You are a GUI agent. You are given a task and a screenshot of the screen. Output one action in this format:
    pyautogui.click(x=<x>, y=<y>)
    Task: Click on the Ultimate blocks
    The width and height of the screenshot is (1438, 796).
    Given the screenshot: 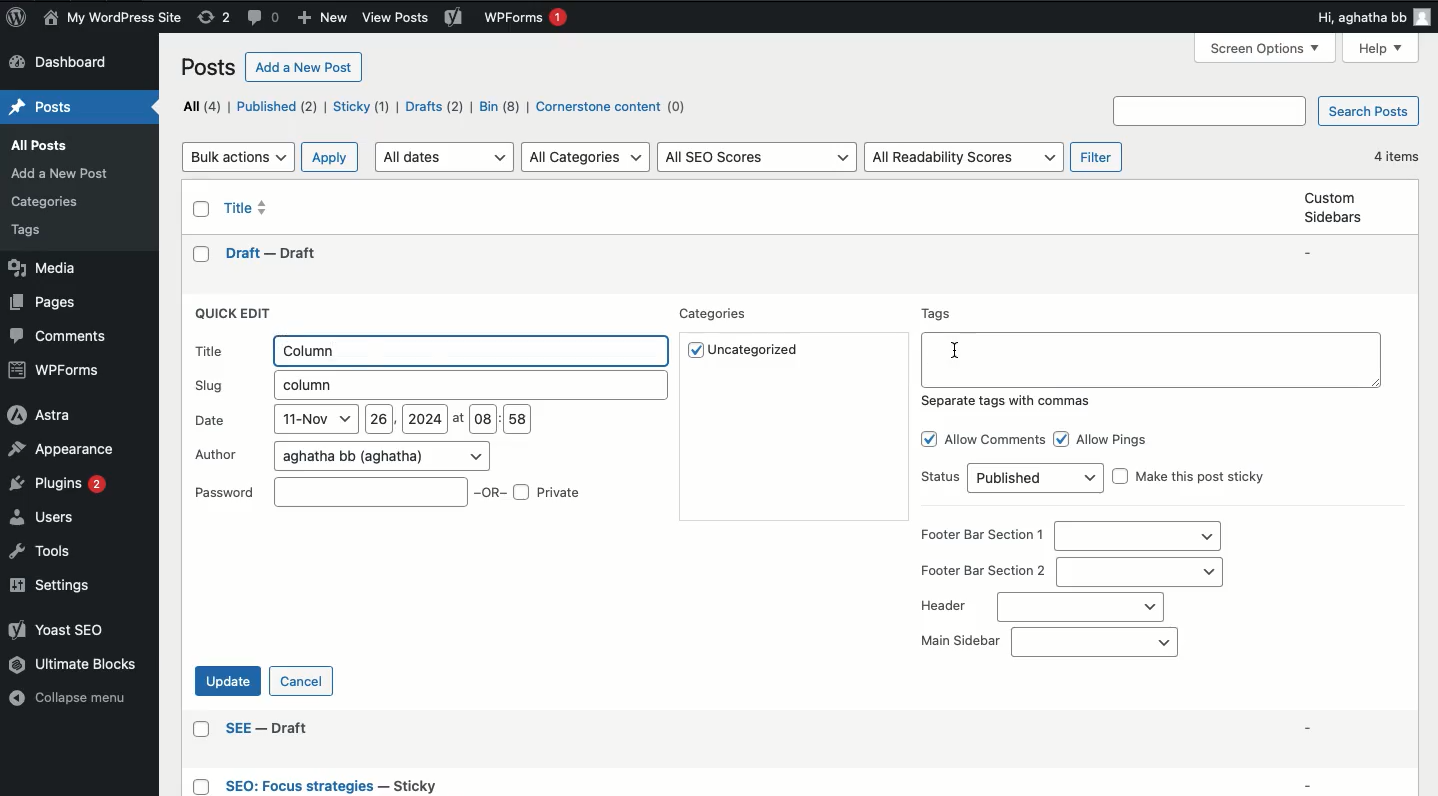 What is the action you would take?
    pyautogui.click(x=71, y=668)
    